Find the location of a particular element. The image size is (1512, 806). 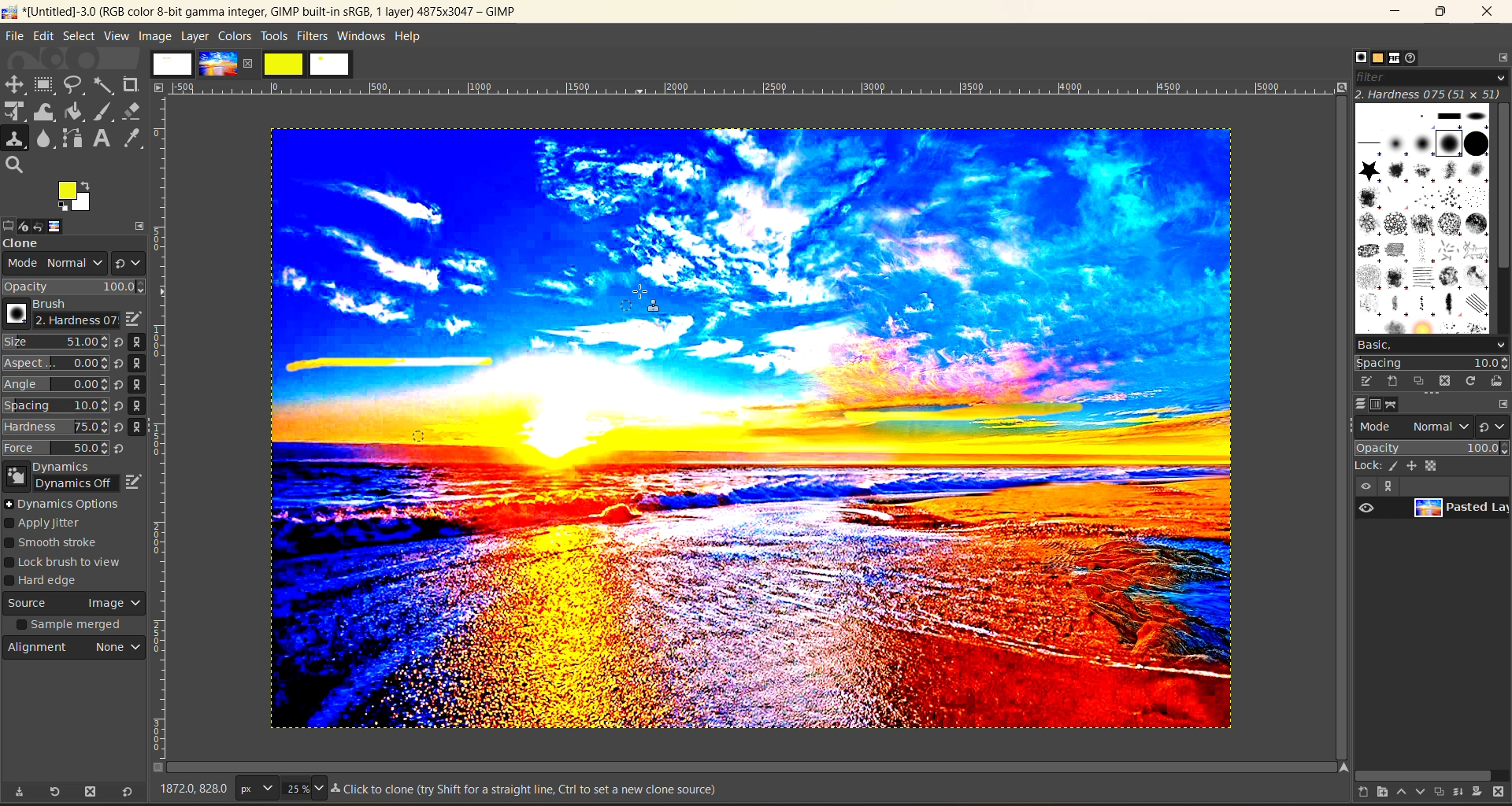

painting tool is located at coordinates (1395, 466).